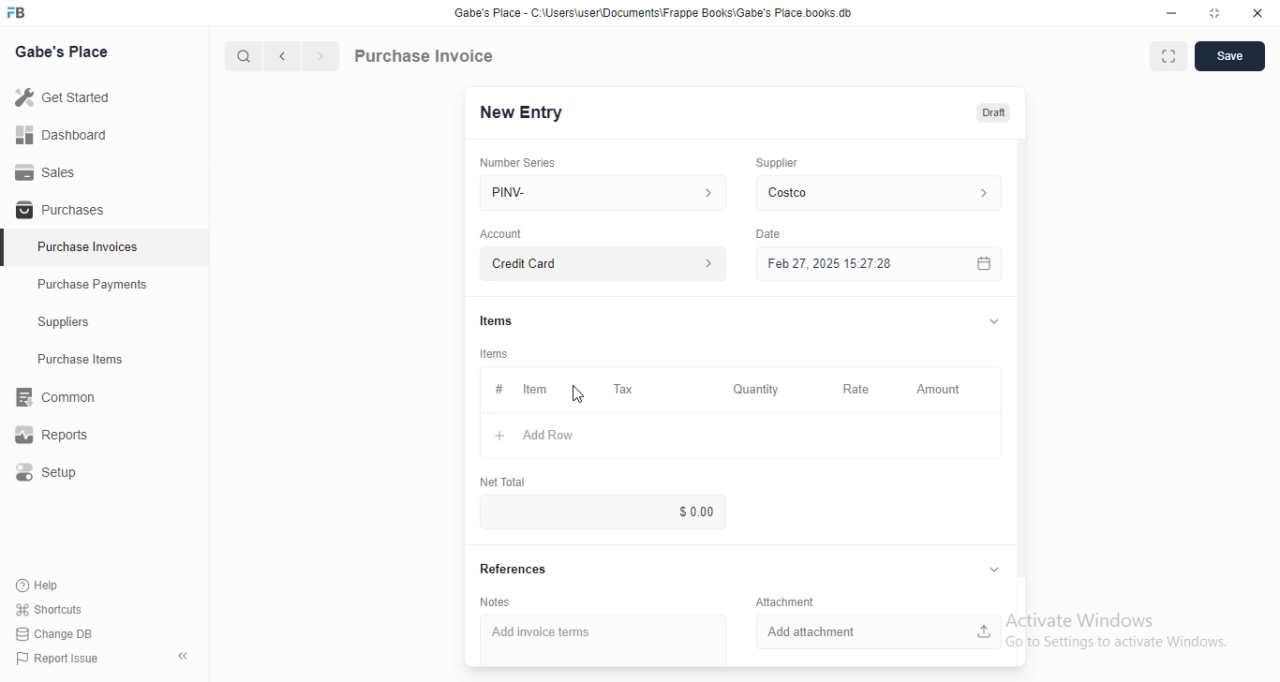  Describe the element at coordinates (104, 134) in the screenshot. I see `Dashboard` at that location.